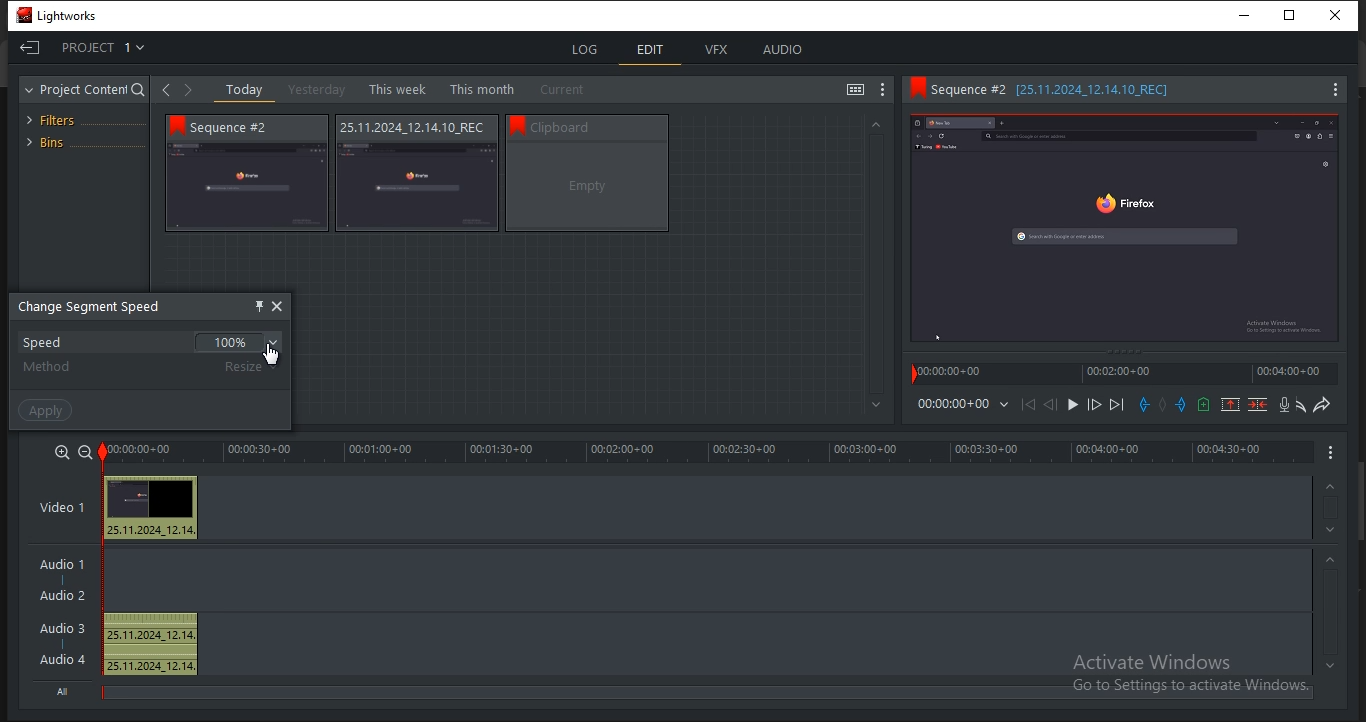  I want to click on Greyed out up arrow, so click(883, 125).